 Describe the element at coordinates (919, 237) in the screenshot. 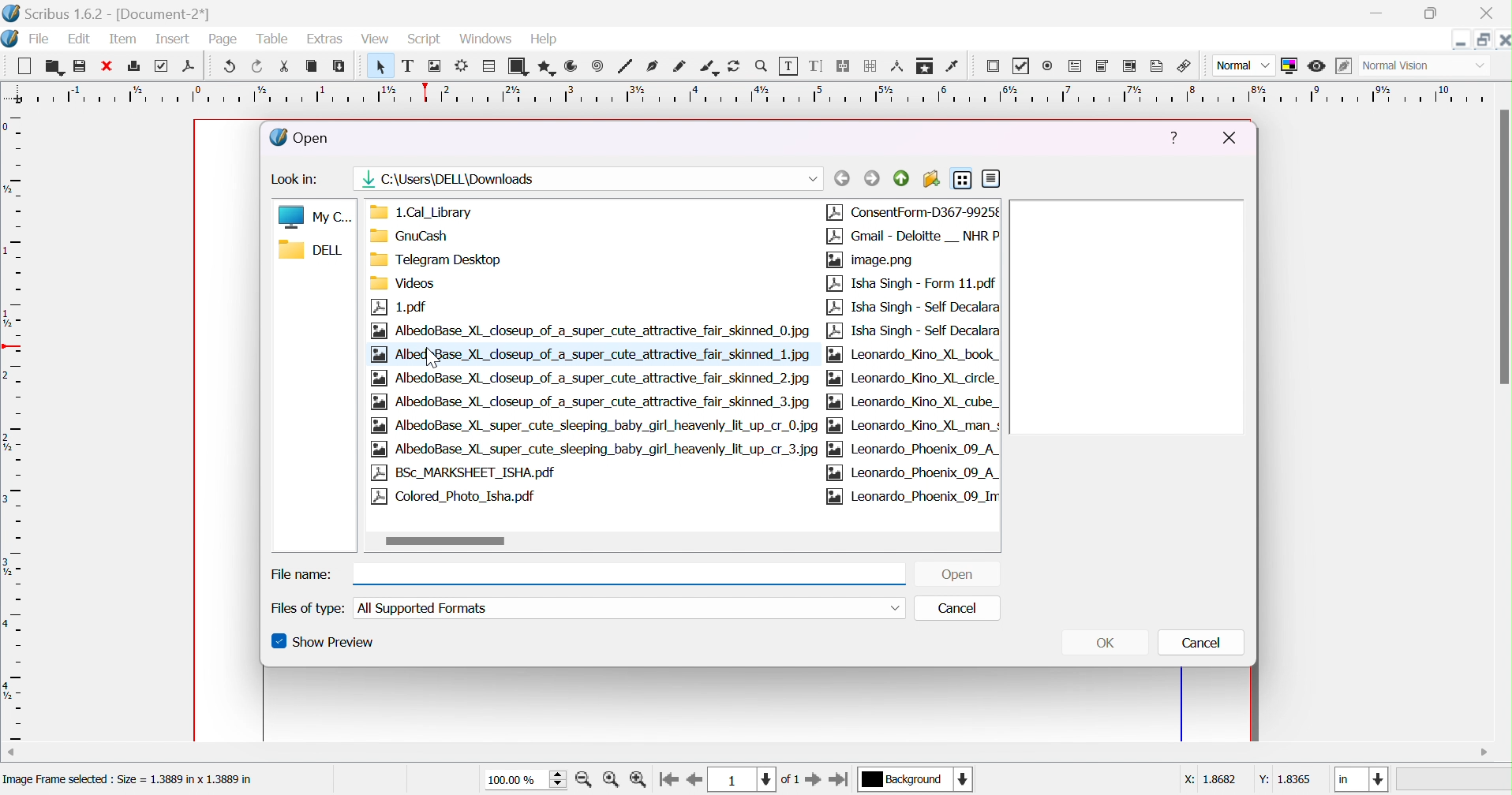

I see ` Gmail - Deloitte __ NHR P` at that location.